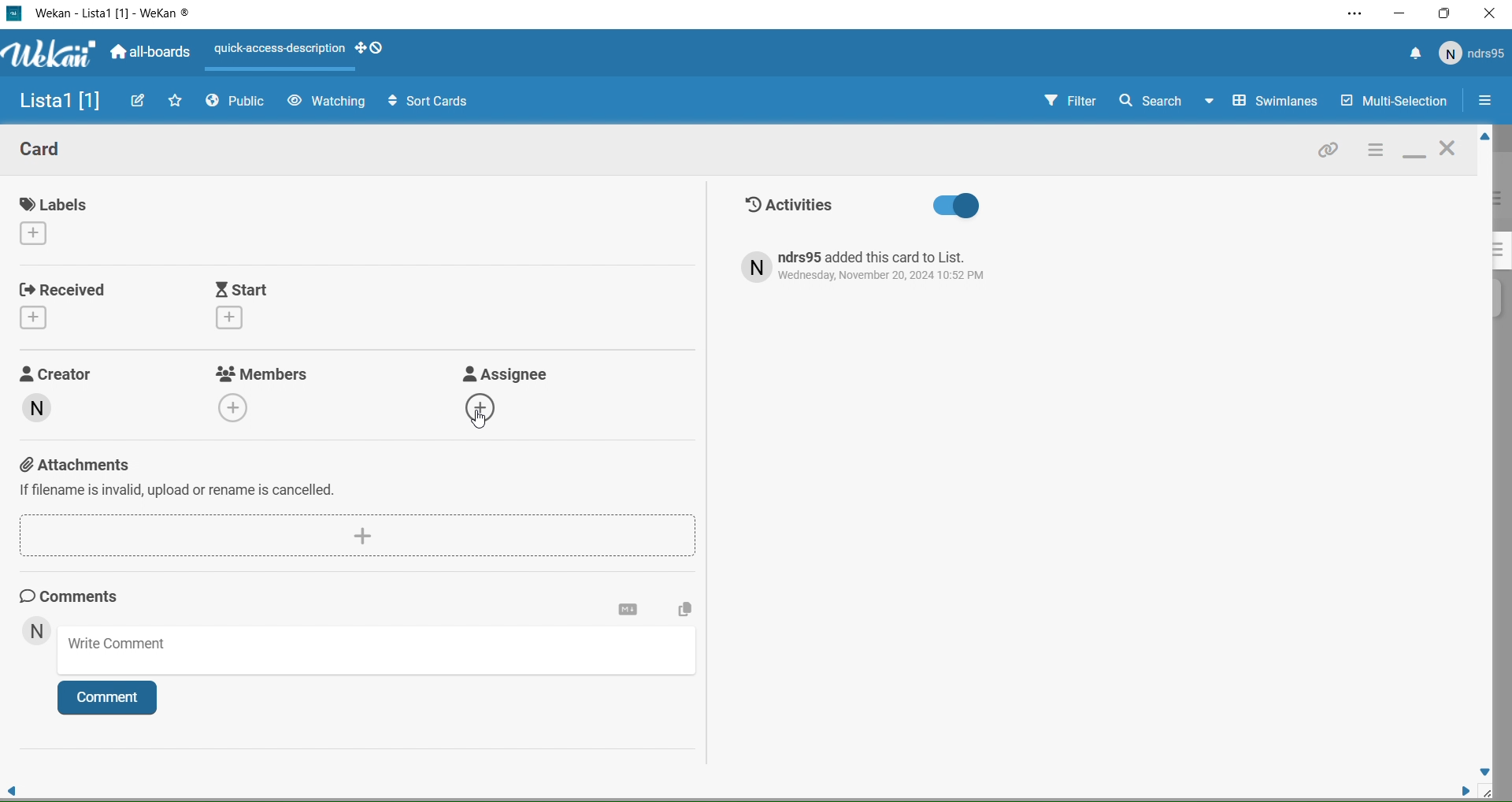 Image resolution: width=1512 pixels, height=802 pixels. What do you see at coordinates (1484, 102) in the screenshot?
I see `Options` at bounding box center [1484, 102].